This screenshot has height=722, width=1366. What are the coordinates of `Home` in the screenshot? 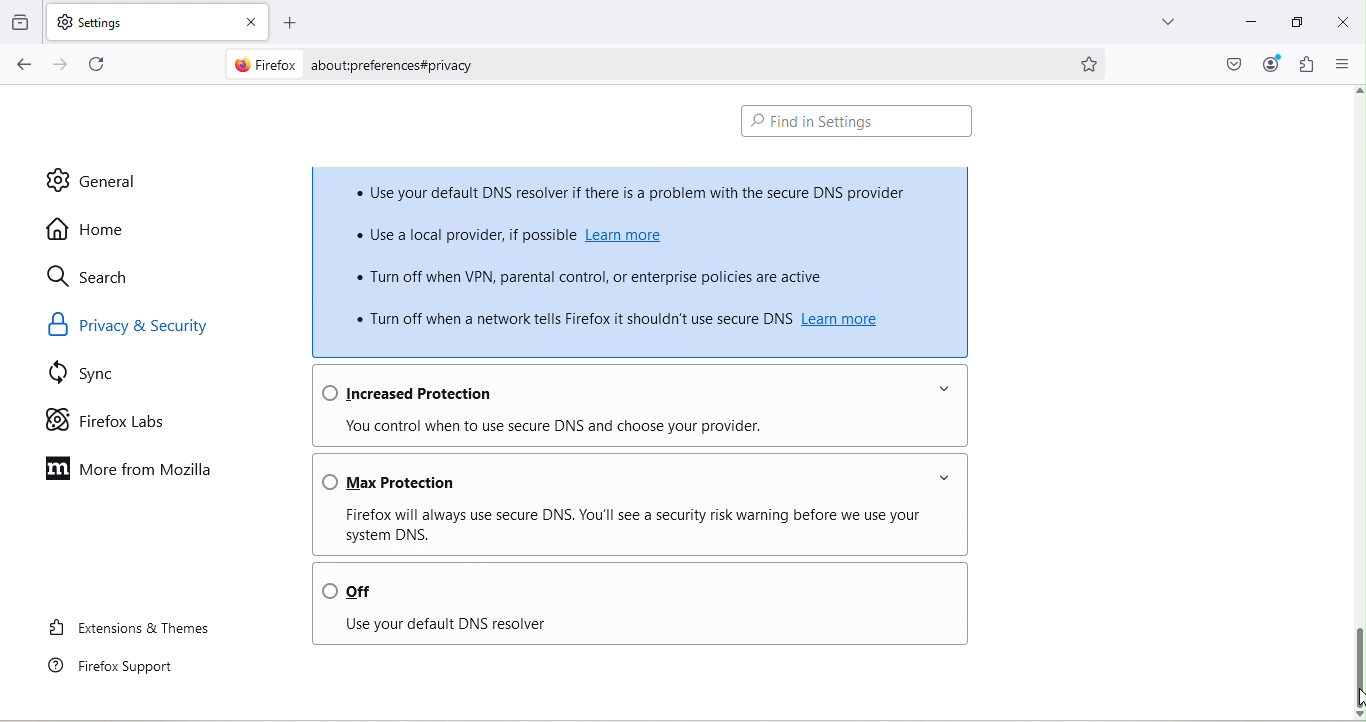 It's located at (88, 228).